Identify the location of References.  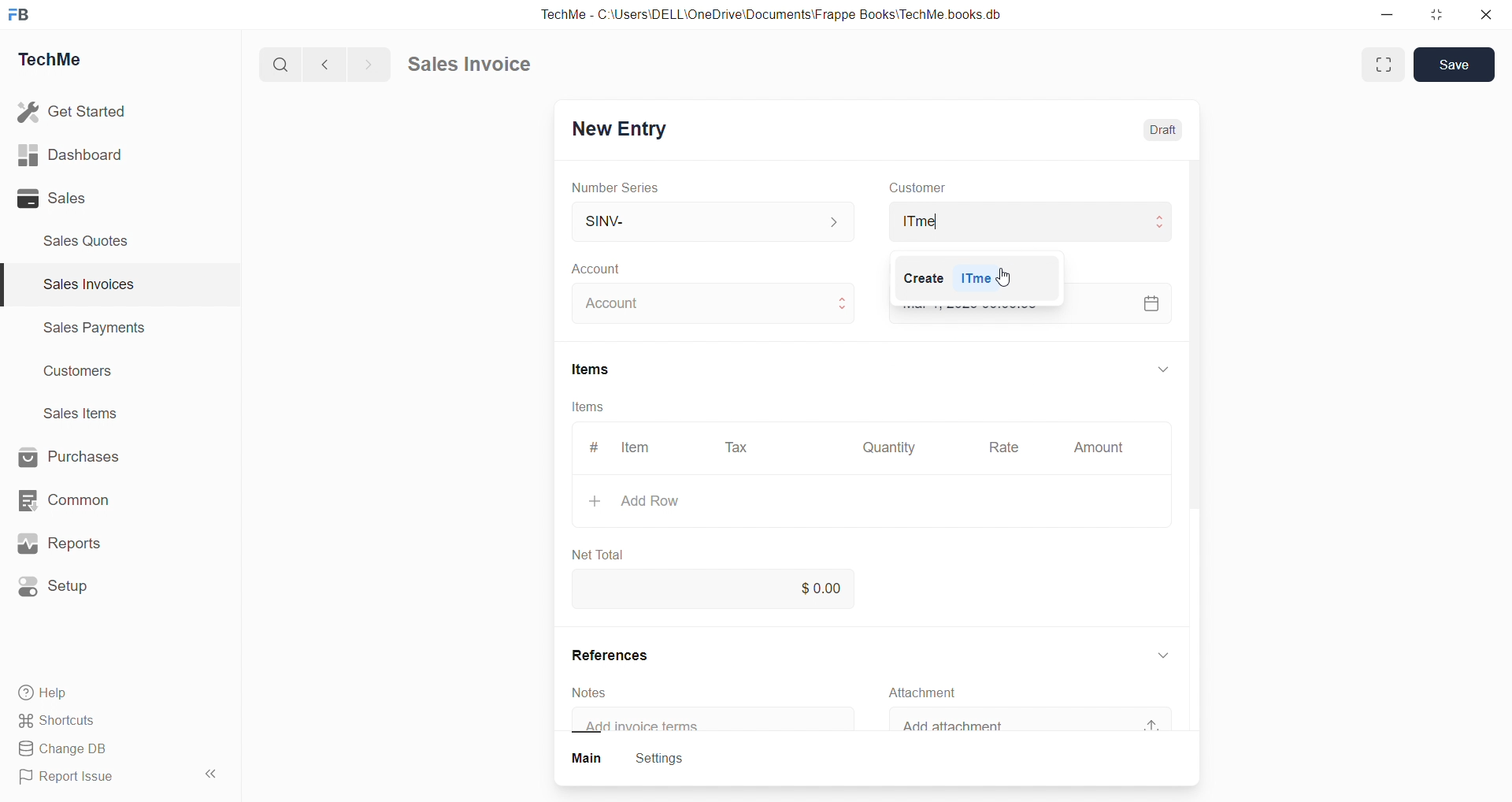
(627, 655).